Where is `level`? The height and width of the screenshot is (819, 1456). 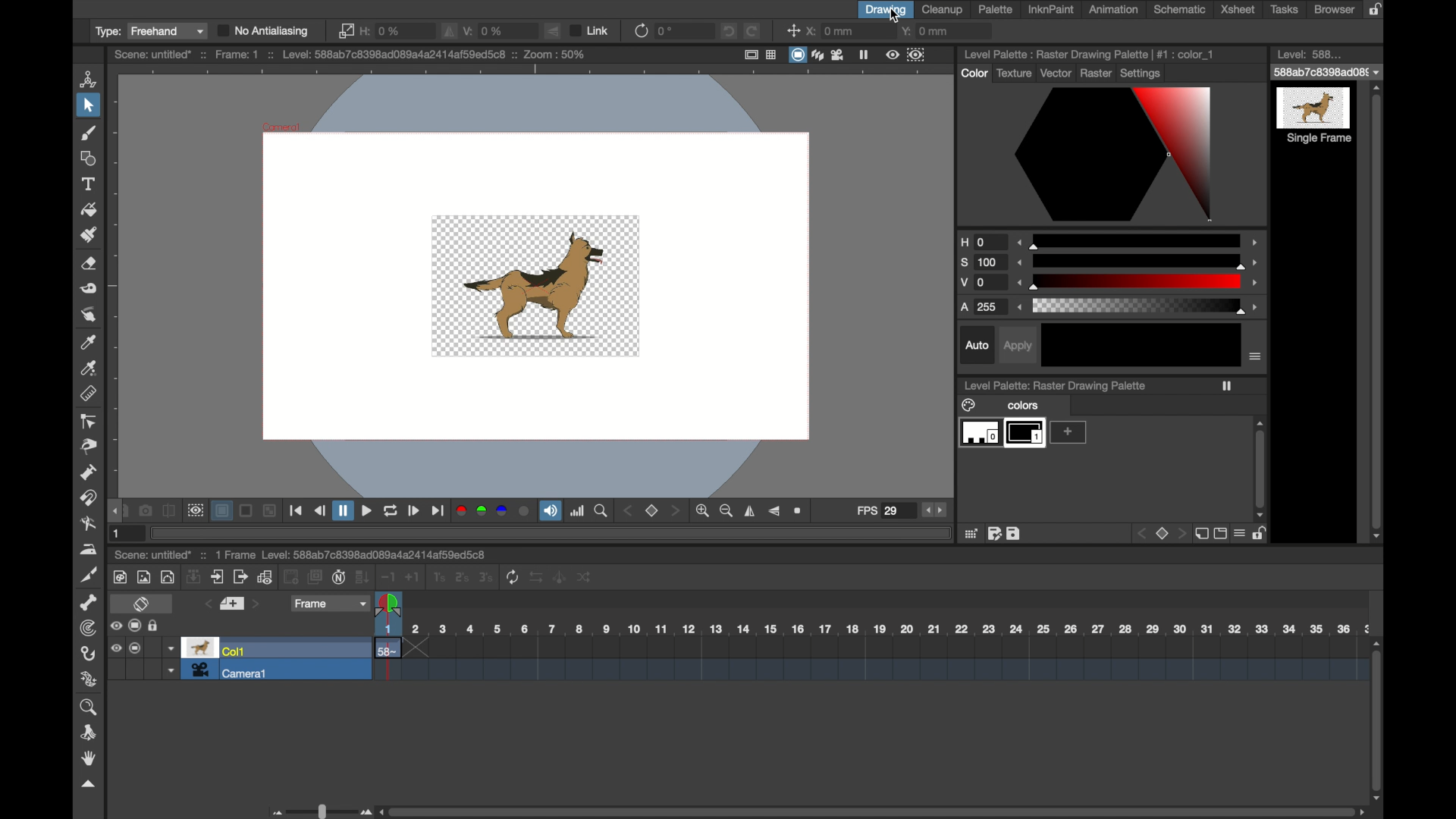
level is located at coordinates (1316, 107).